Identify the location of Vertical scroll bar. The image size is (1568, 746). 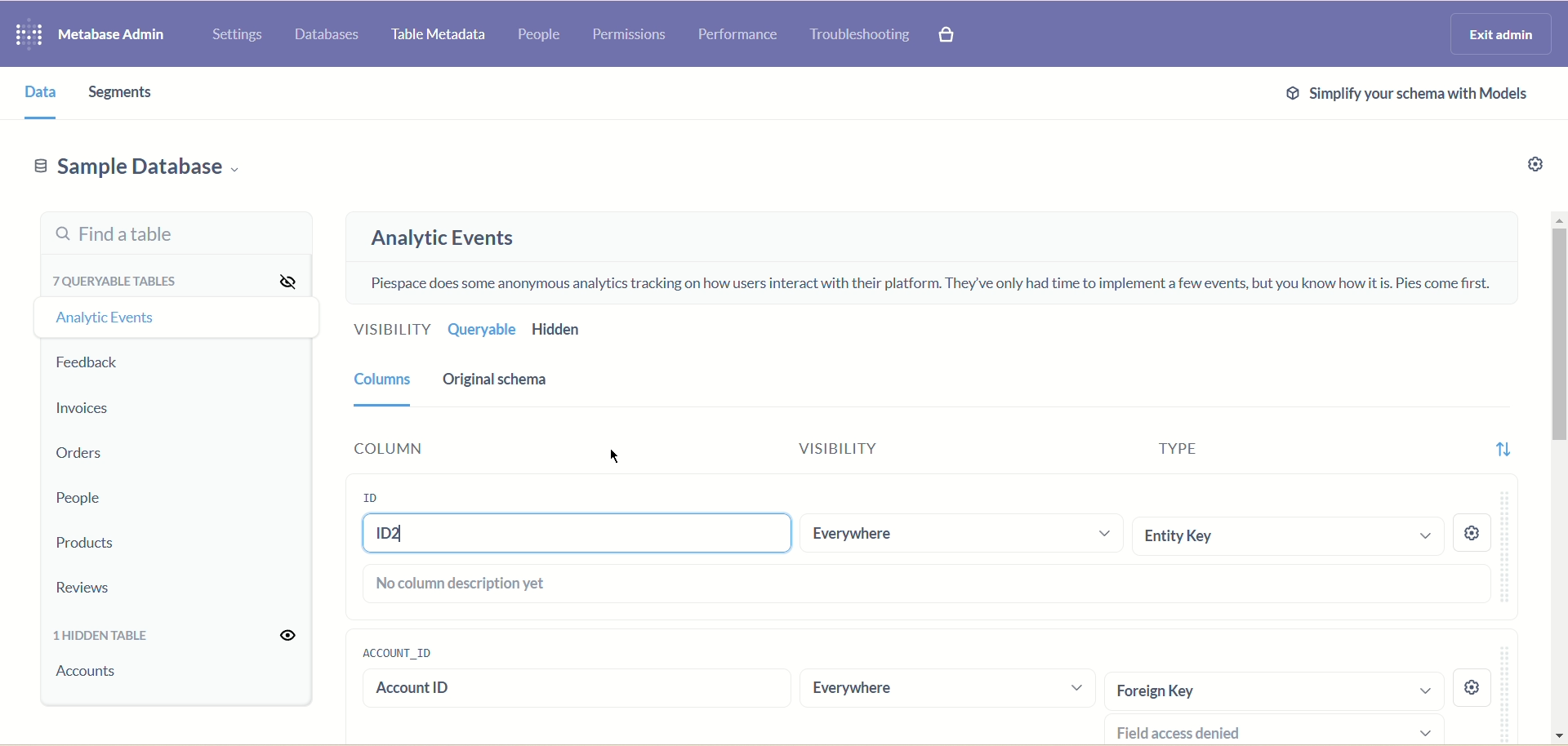
(1557, 478).